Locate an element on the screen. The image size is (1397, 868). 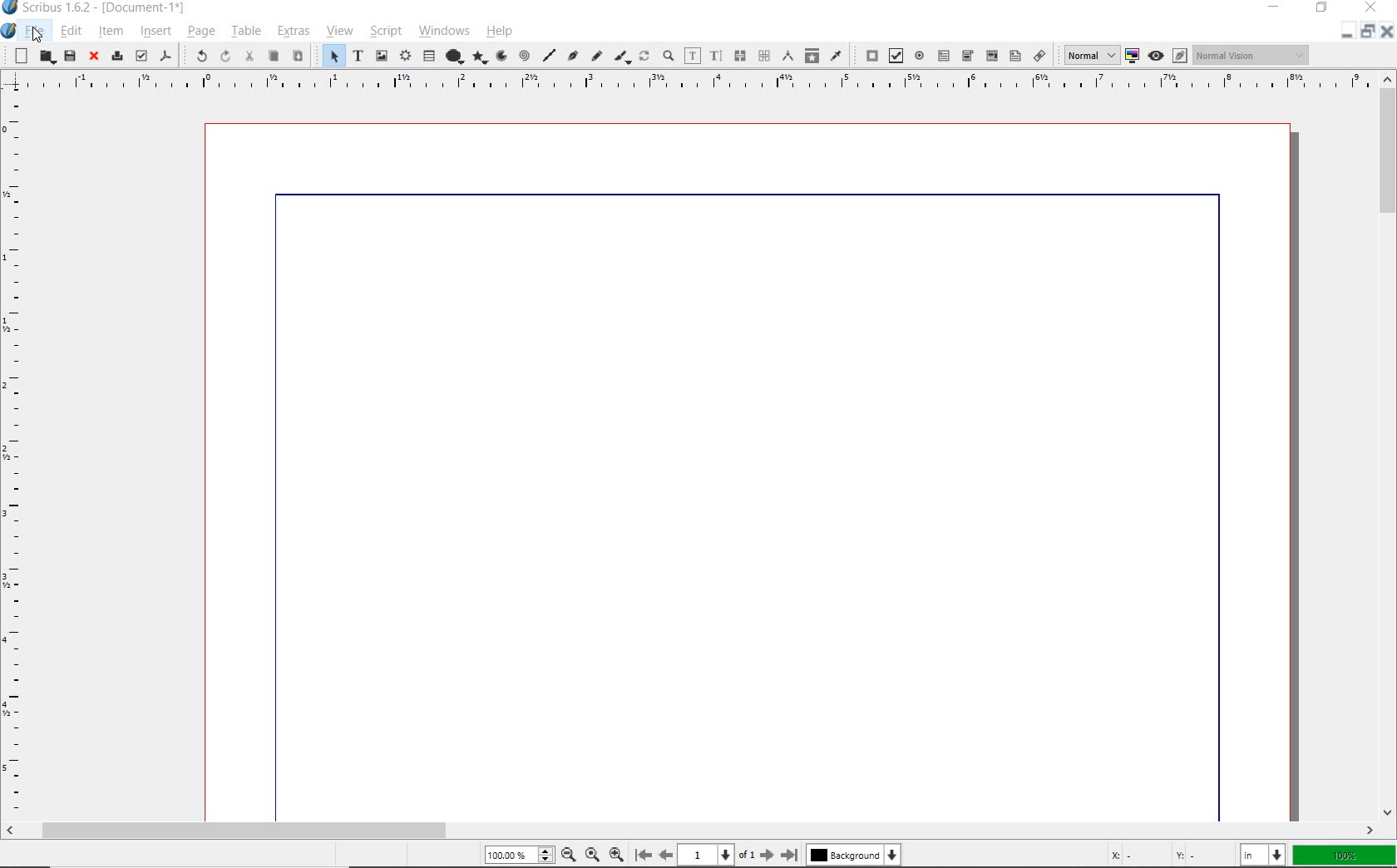
zoom factor is located at coordinates (1345, 857).